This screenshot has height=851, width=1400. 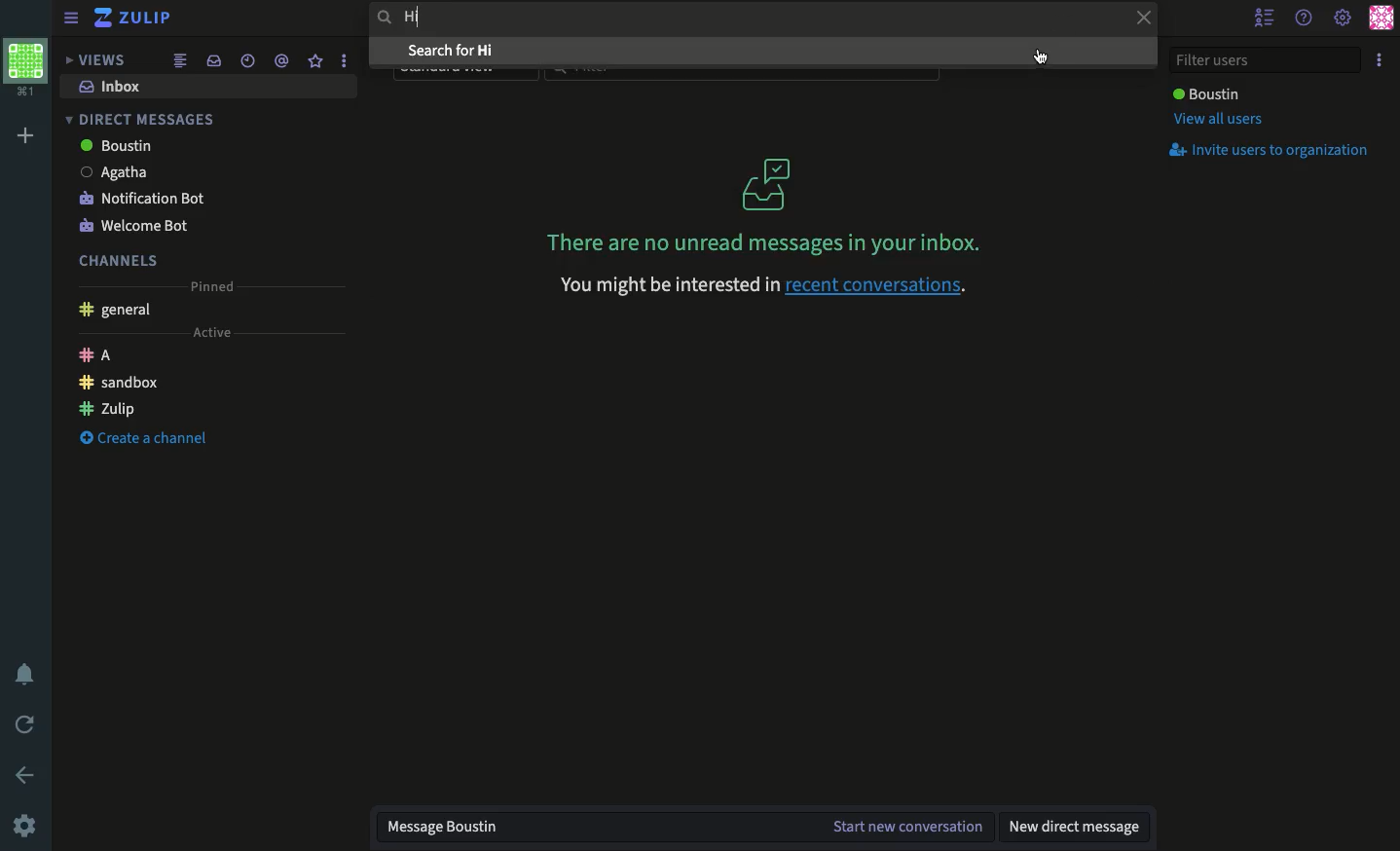 I want to click on Help, so click(x=1305, y=18).